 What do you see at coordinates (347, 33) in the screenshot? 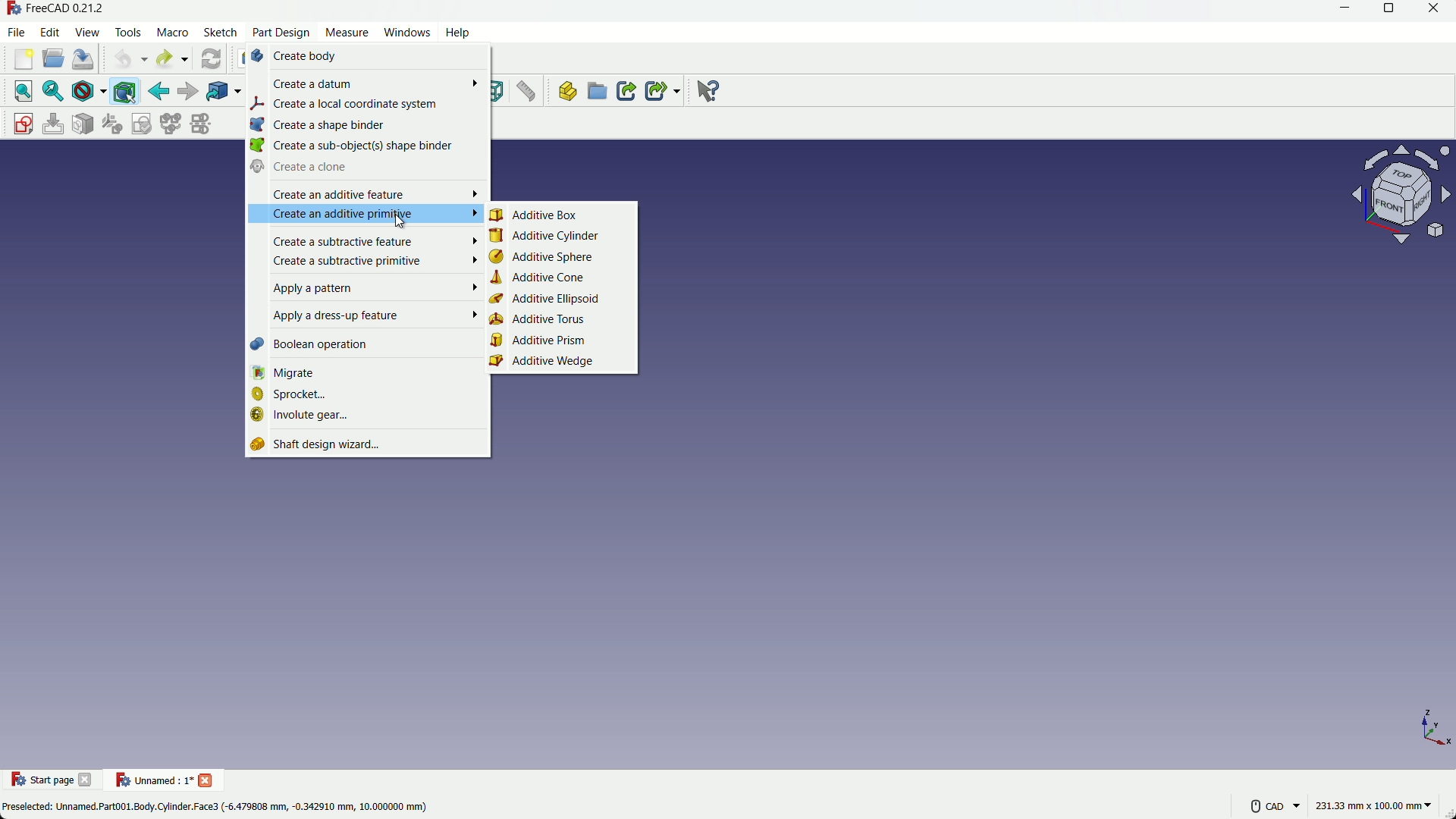
I see `measure menu` at bounding box center [347, 33].